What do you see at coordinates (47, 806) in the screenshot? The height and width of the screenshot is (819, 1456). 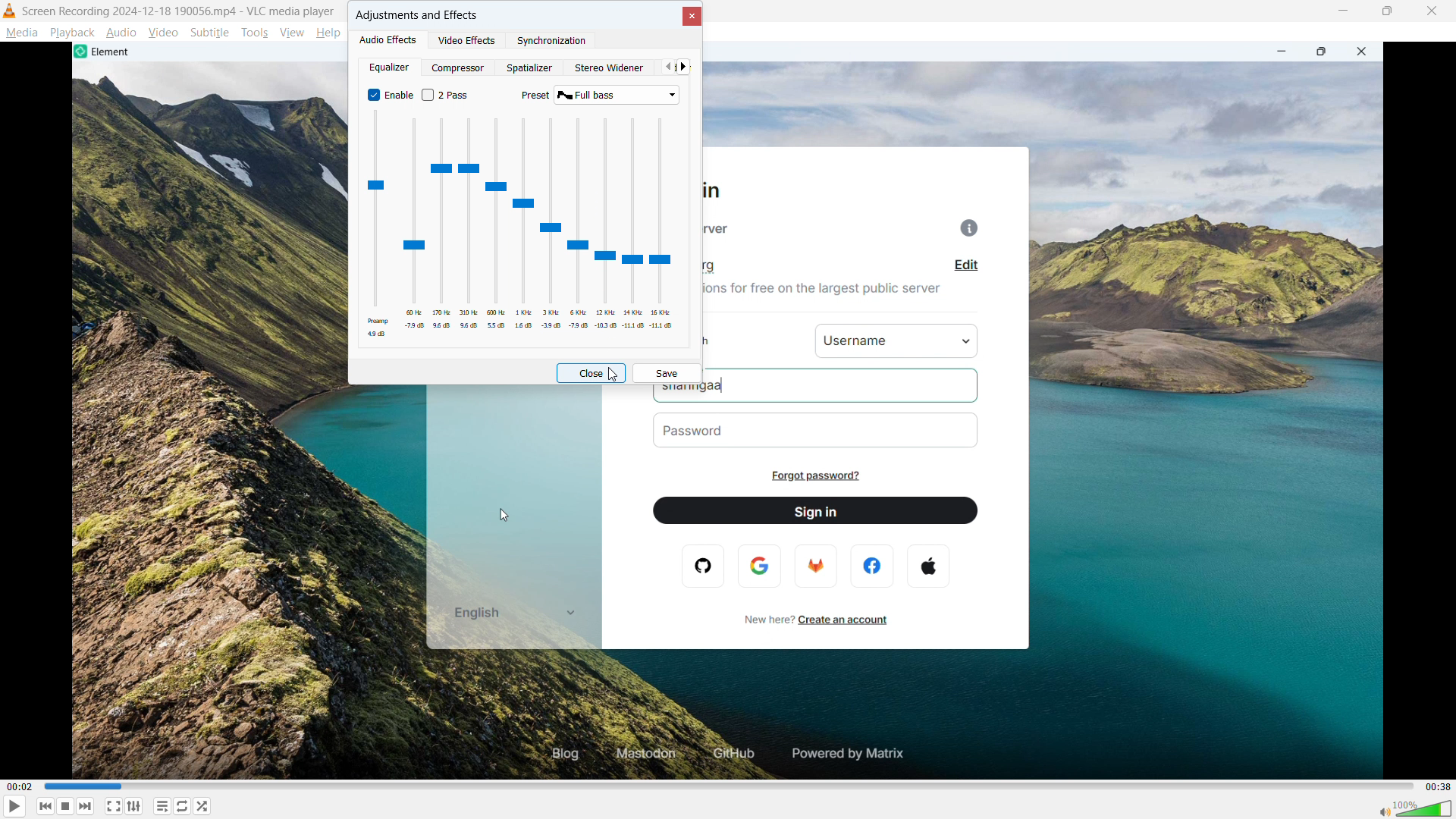 I see `Backward` at bounding box center [47, 806].